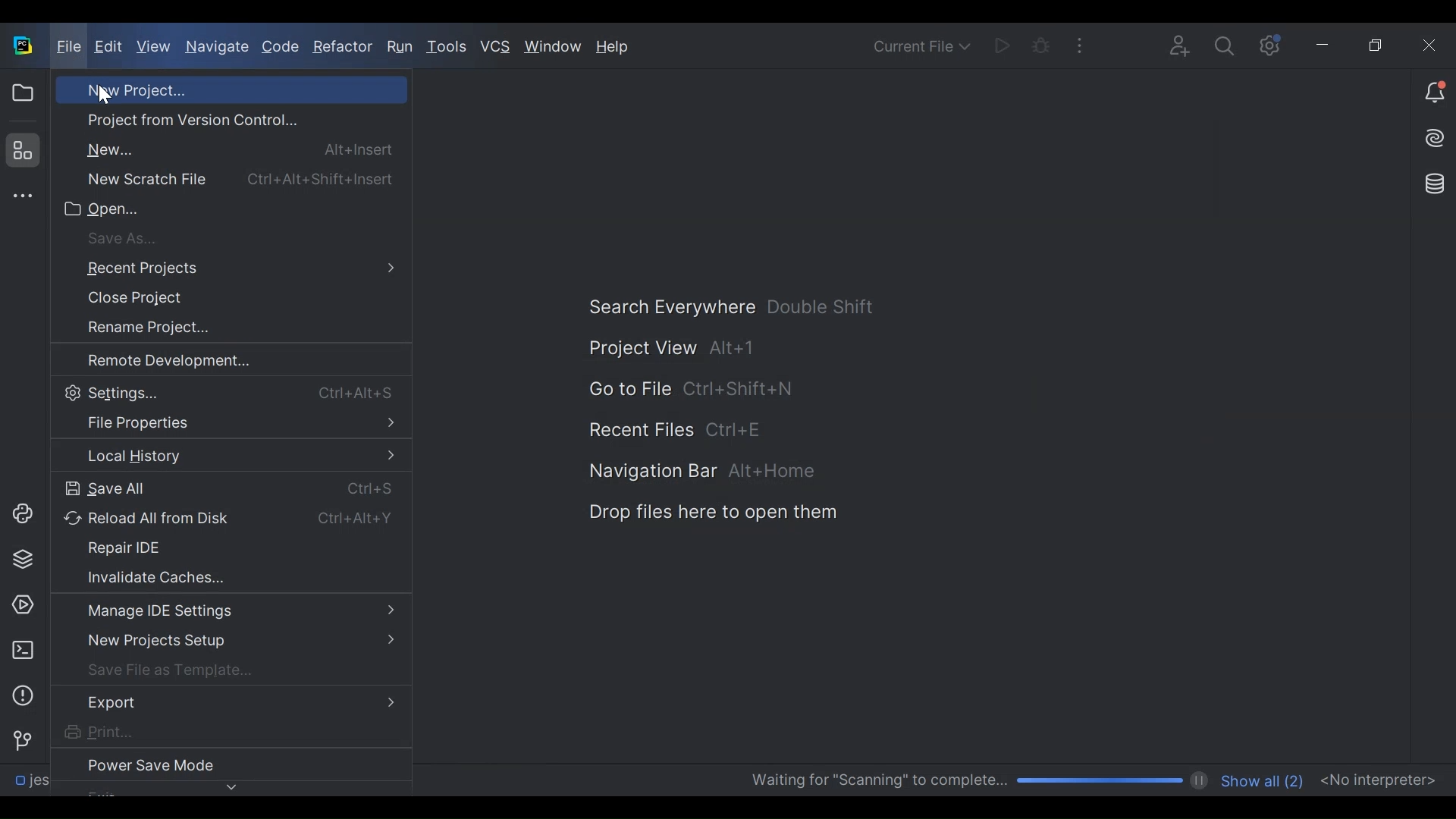 This screenshot has height=819, width=1456. What do you see at coordinates (1433, 138) in the screenshot?
I see `AI Assistant` at bounding box center [1433, 138].